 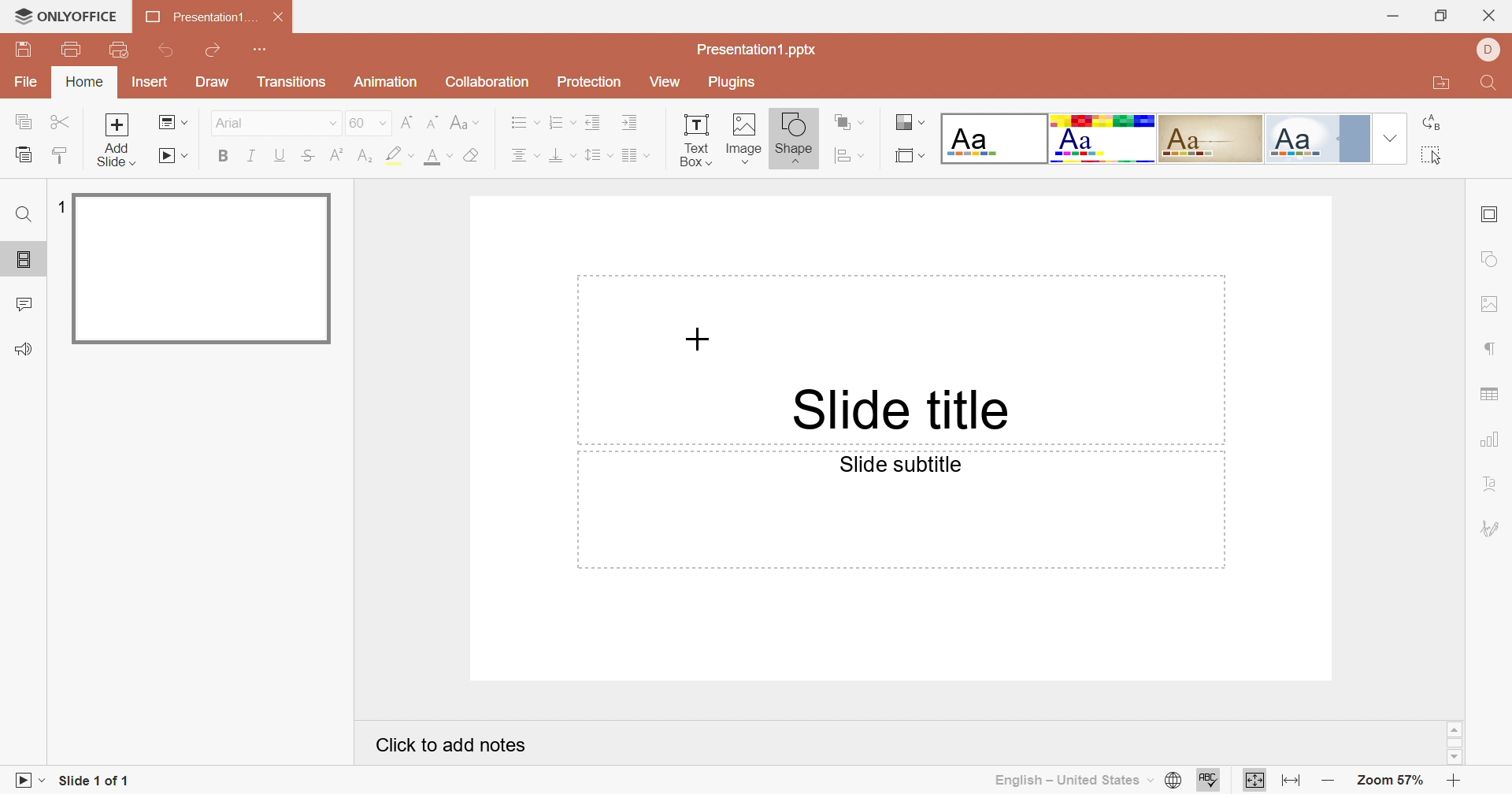 I want to click on Image settings, so click(x=1491, y=304).